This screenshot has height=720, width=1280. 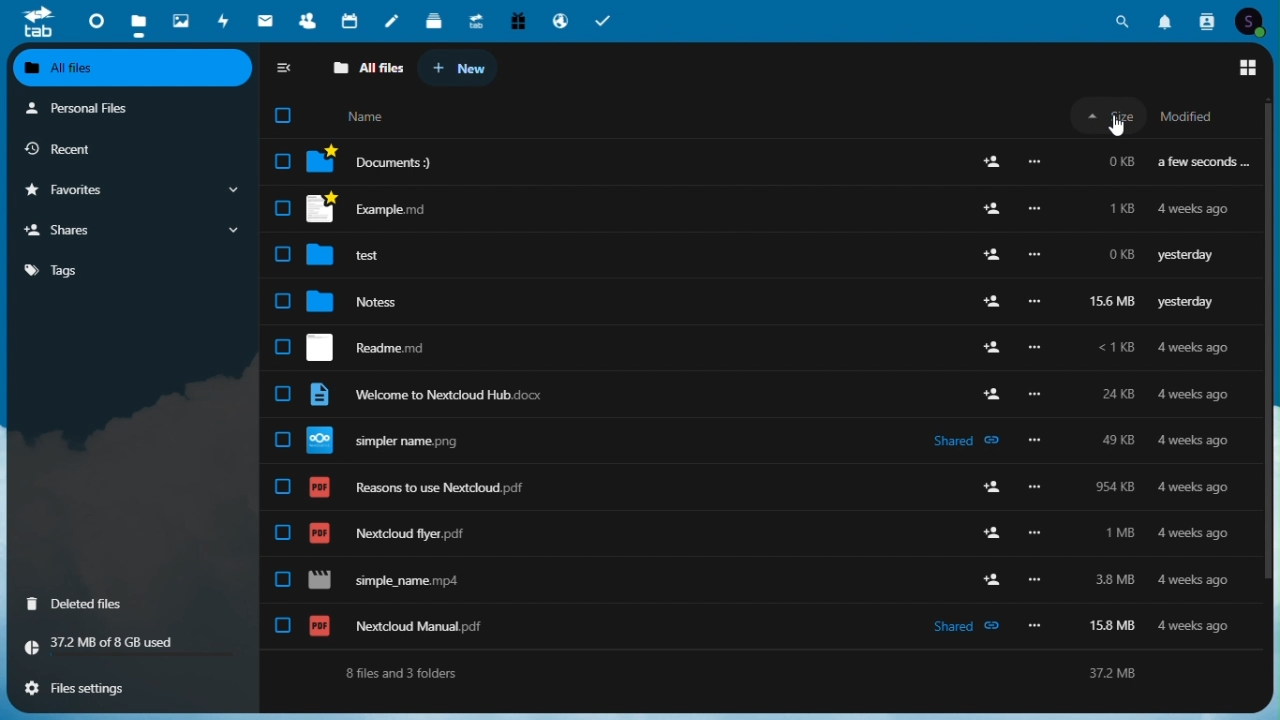 What do you see at coordinates (367, 67) in the screenshot?
I see `All files` at bounding box center [367, 67].